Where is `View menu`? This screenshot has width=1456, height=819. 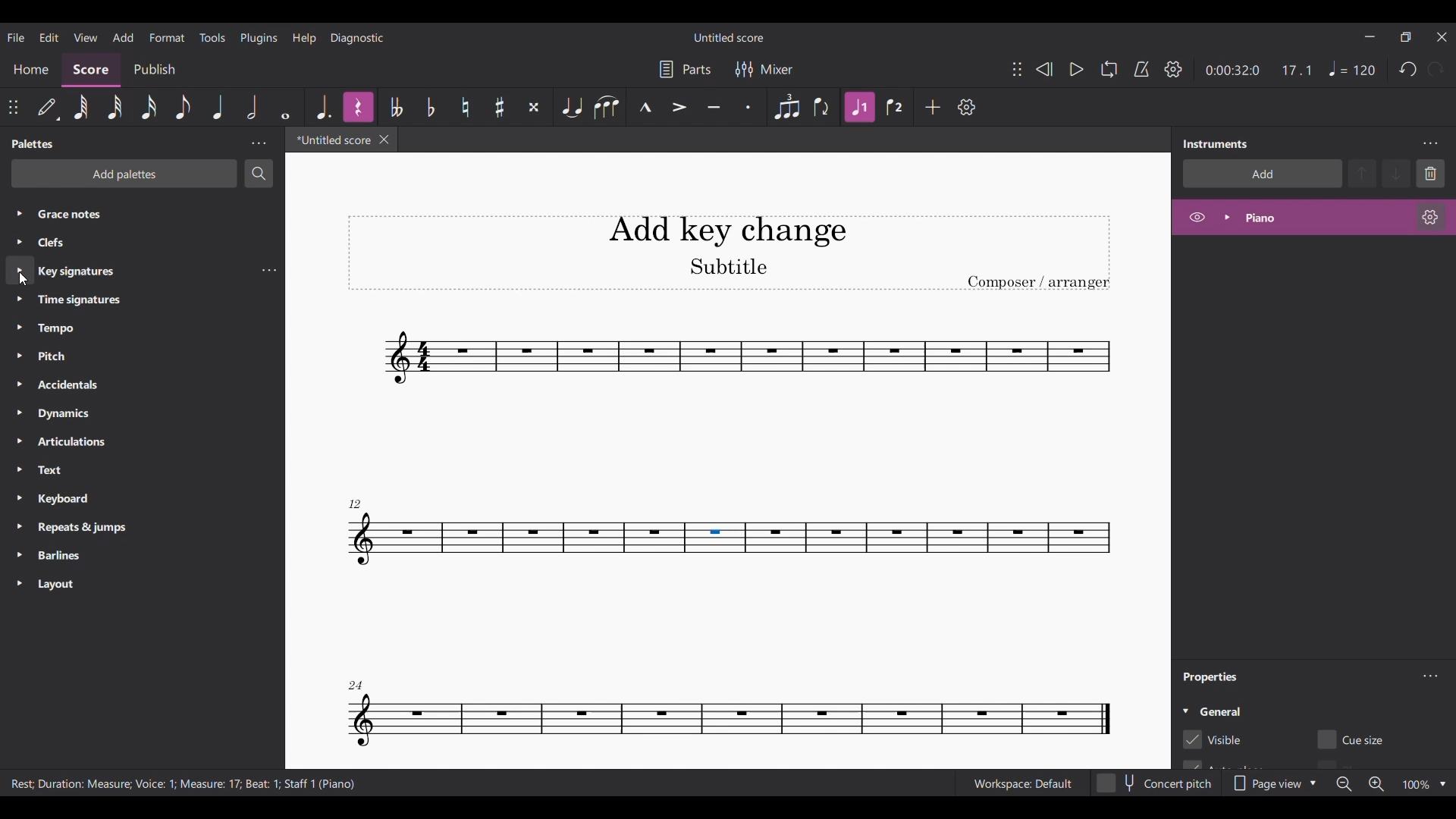 View menu is located at coordinates (85, 36).